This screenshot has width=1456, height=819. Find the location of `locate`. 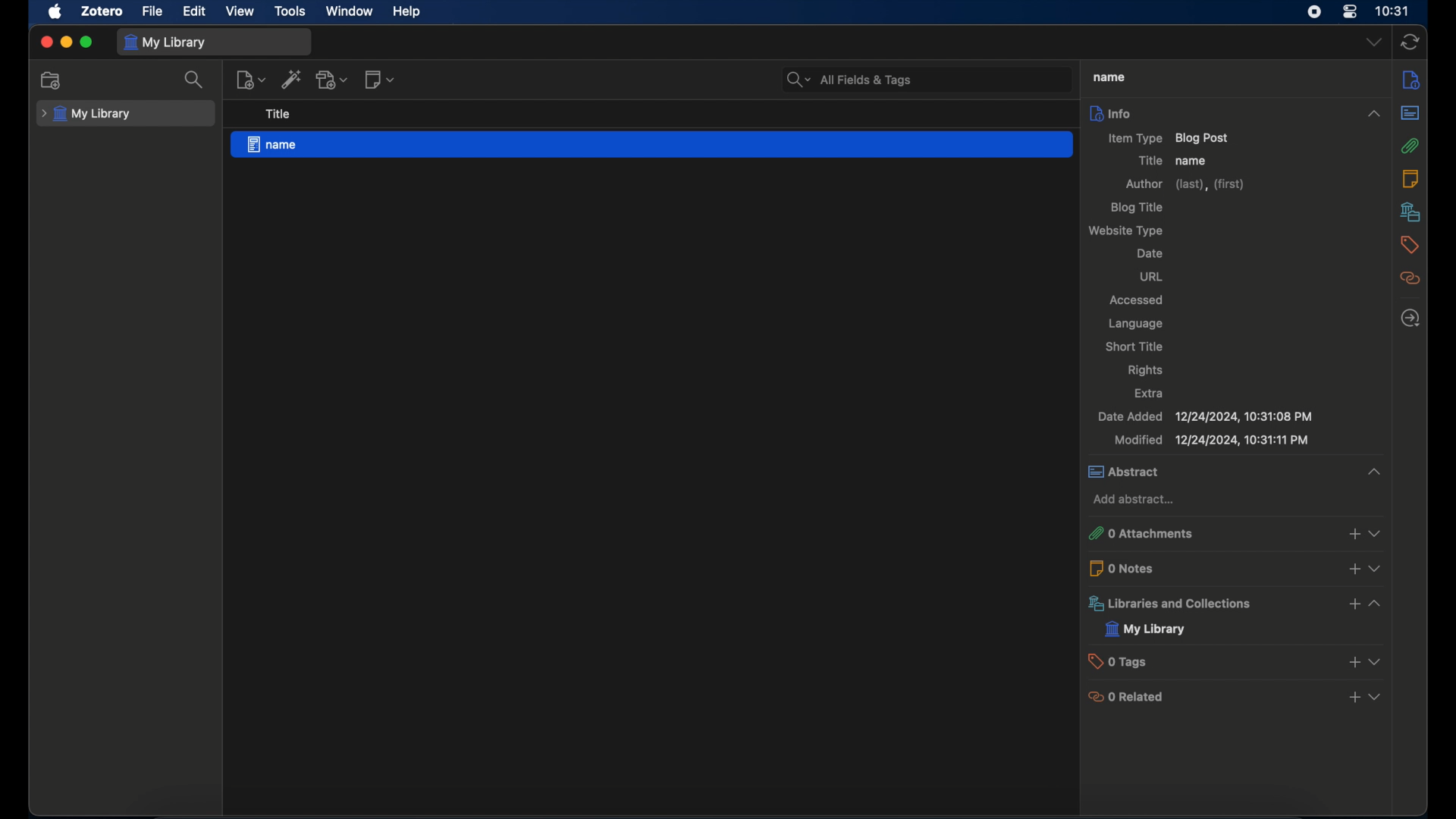

locate is located at coordinates (1409, 318).